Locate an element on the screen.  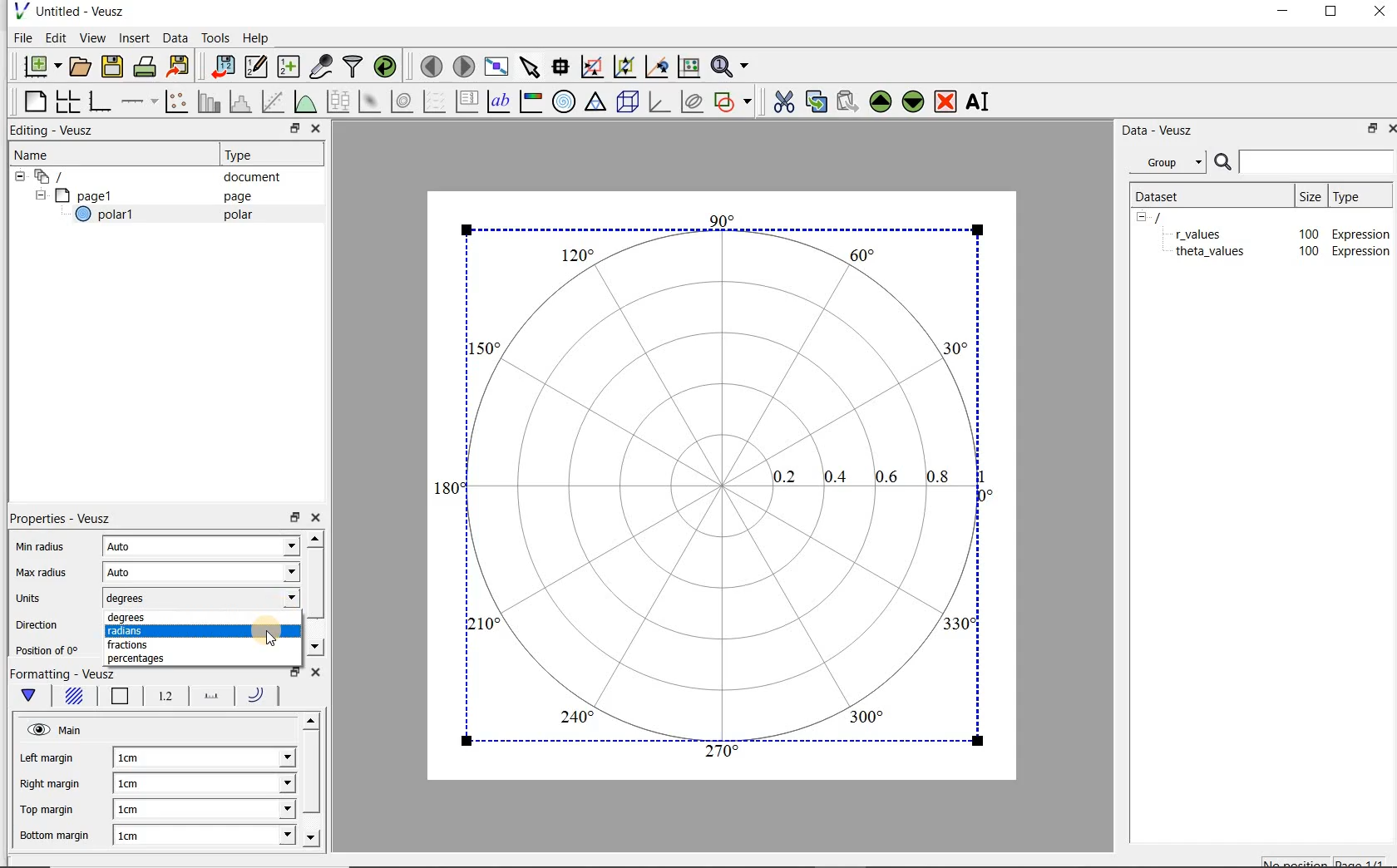
1cm is located at coordinates (155, 834).